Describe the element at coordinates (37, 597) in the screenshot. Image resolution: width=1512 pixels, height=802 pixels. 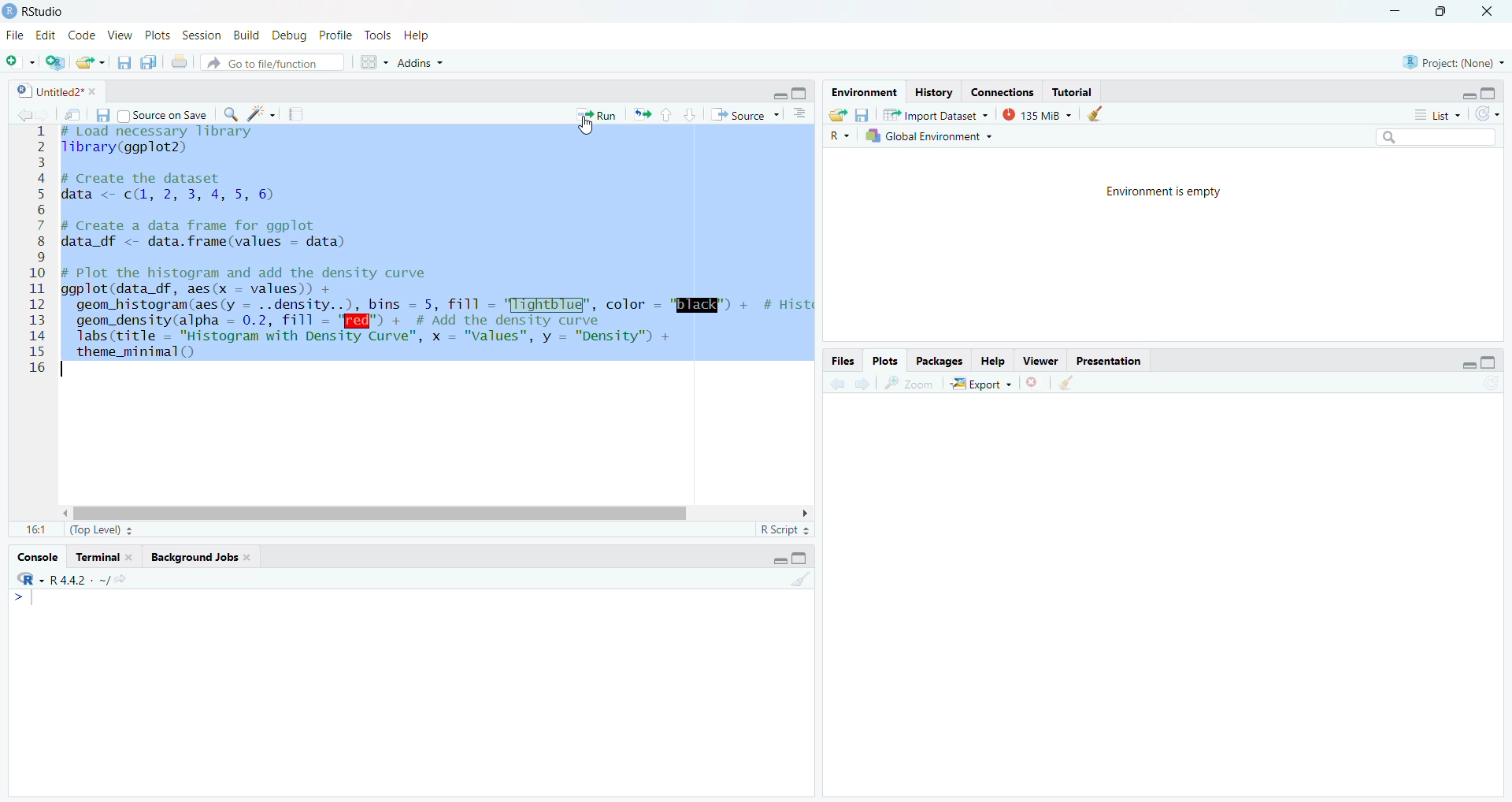
I see `text cursor` at that location.